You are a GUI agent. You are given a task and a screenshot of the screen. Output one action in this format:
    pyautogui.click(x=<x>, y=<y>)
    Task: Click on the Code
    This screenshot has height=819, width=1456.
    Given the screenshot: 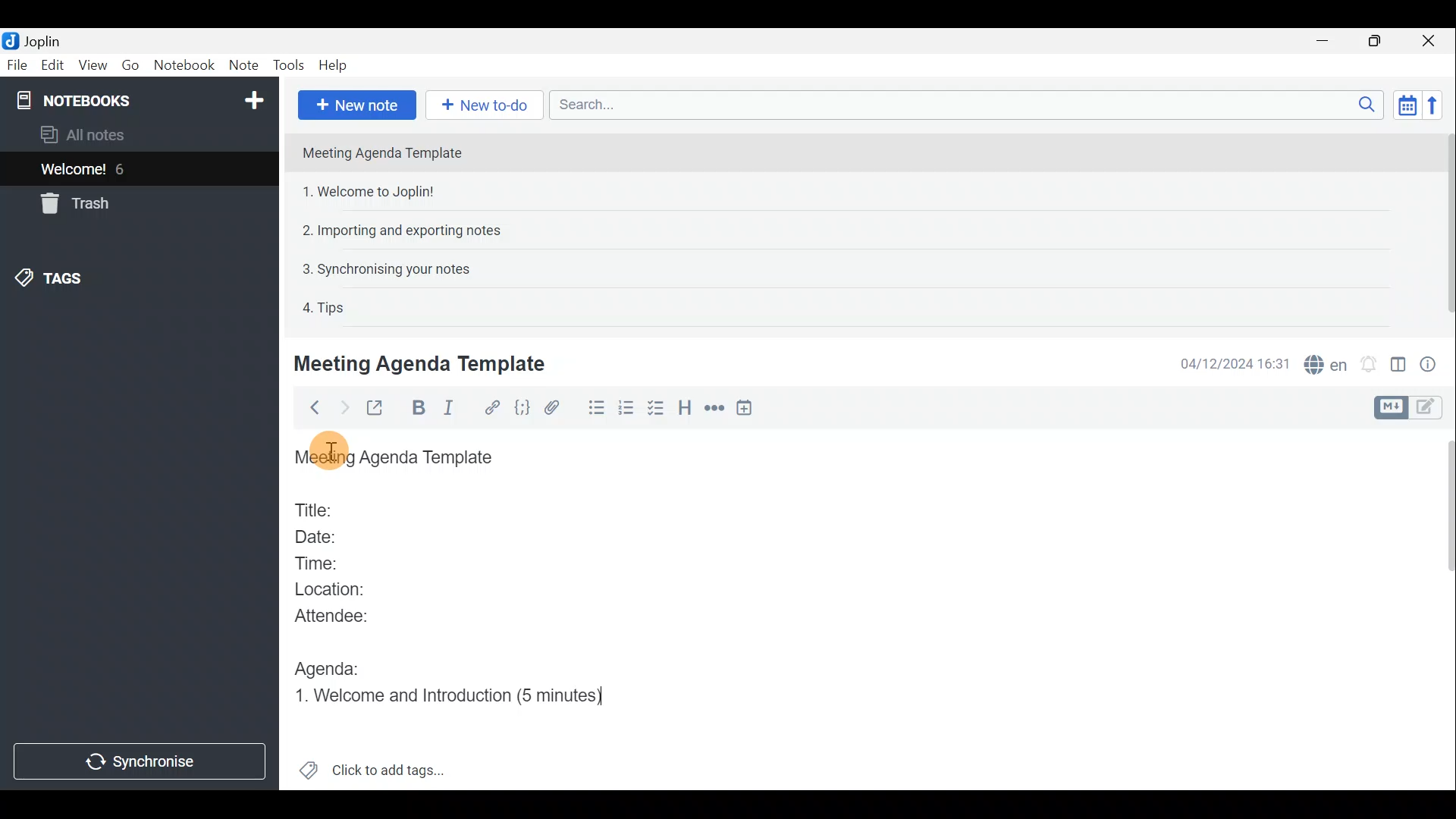 What is the action you would take?
    pyautogui.click(x=522, y=409)
    